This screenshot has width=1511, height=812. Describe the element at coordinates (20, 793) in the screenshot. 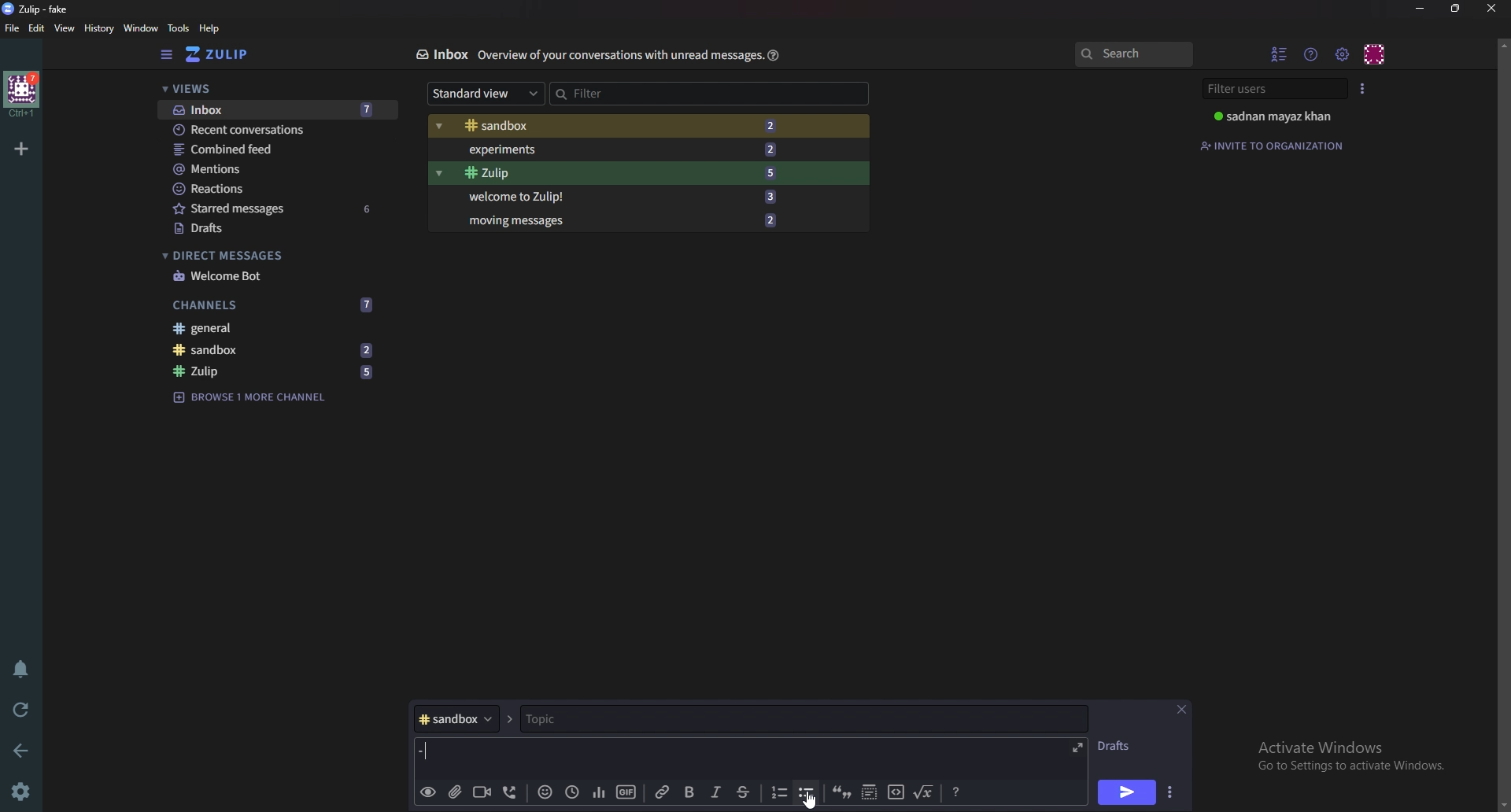

I see `Settings` at that location.